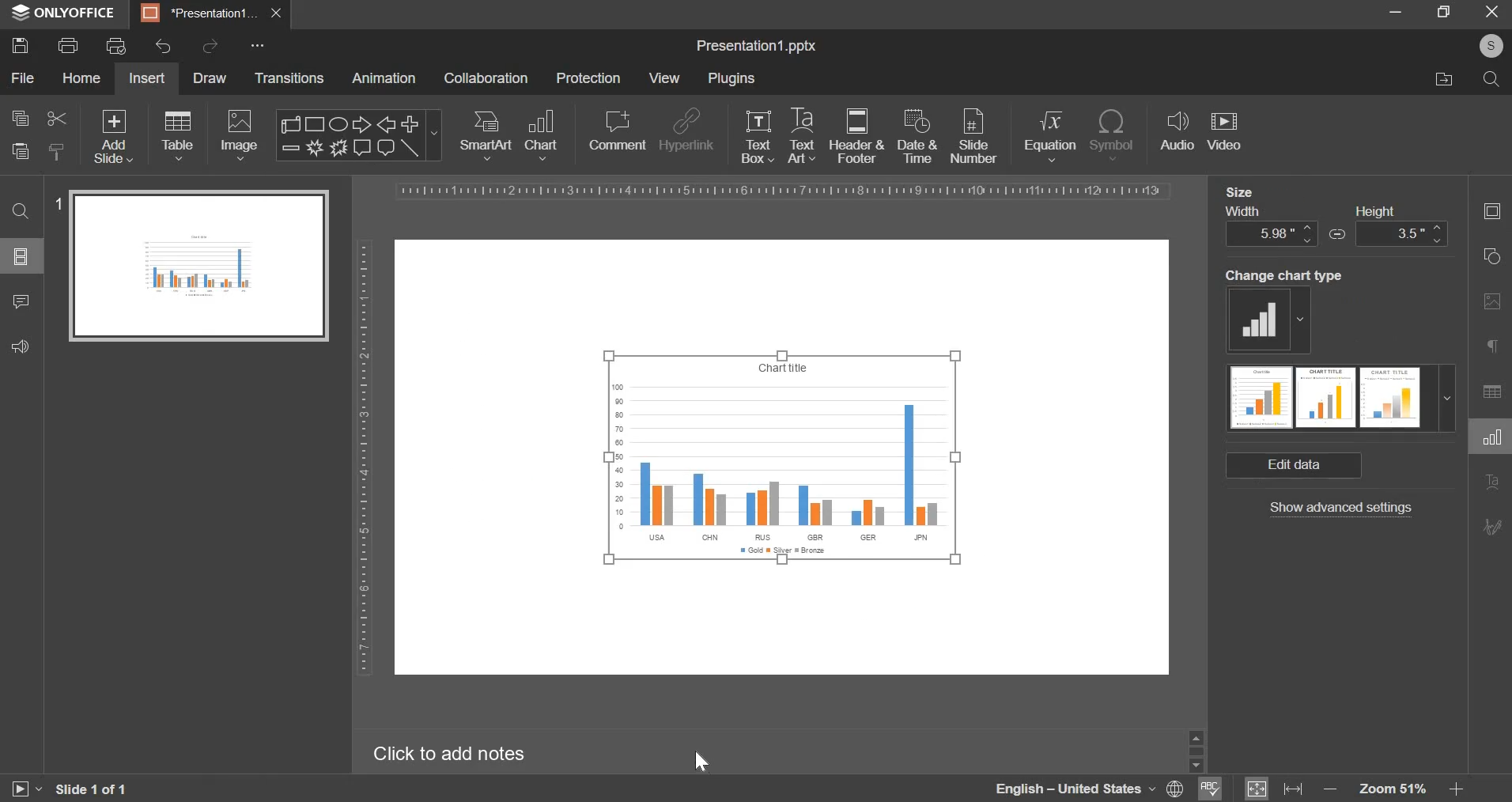 The width and height of the screenshot is (1512, 802). What do you see at coordinates (65, 14) in the screenshot?
I see `window name` at bounding box center [65, 14].